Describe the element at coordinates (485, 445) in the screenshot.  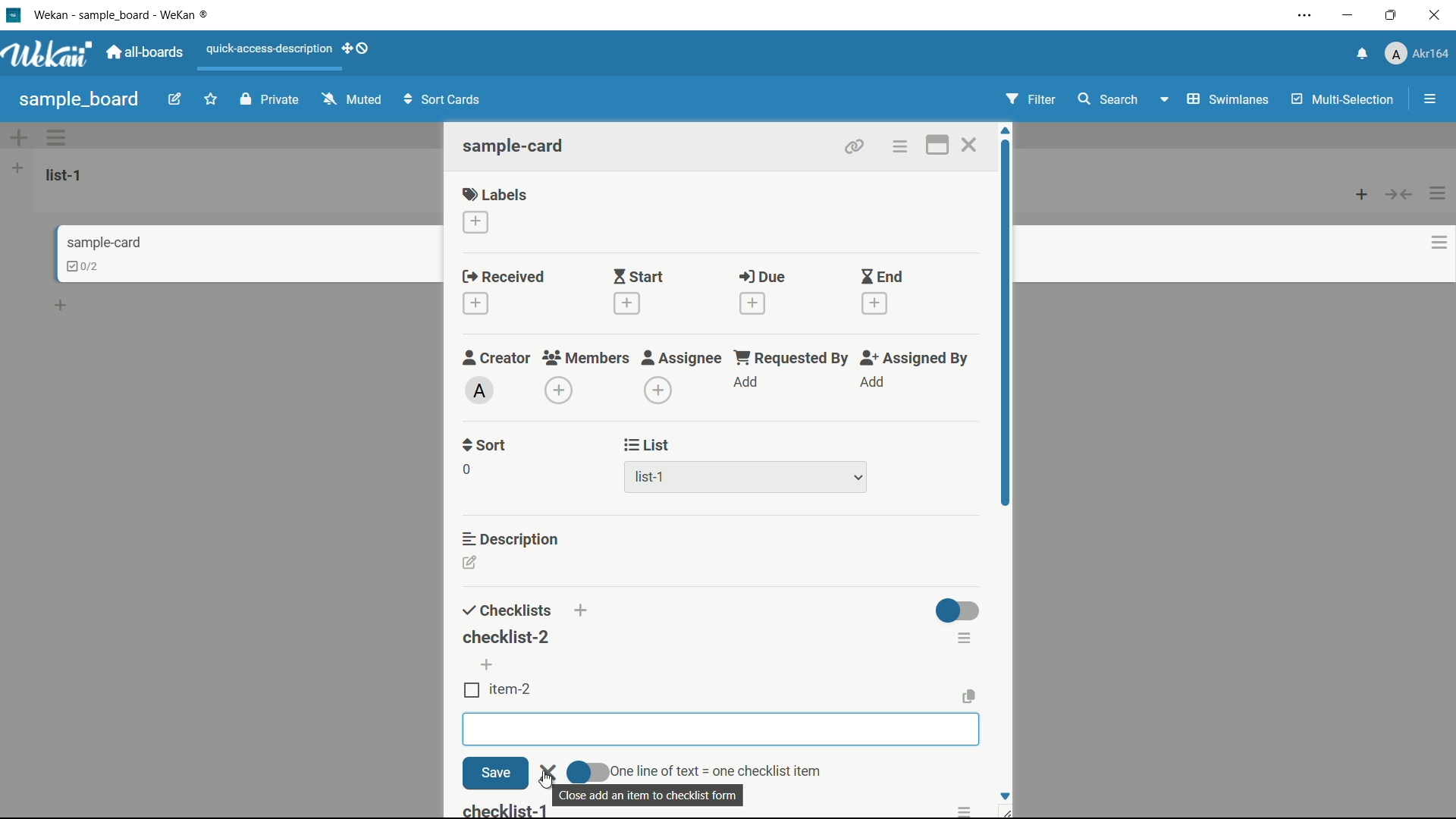
I see `sort` at that location.